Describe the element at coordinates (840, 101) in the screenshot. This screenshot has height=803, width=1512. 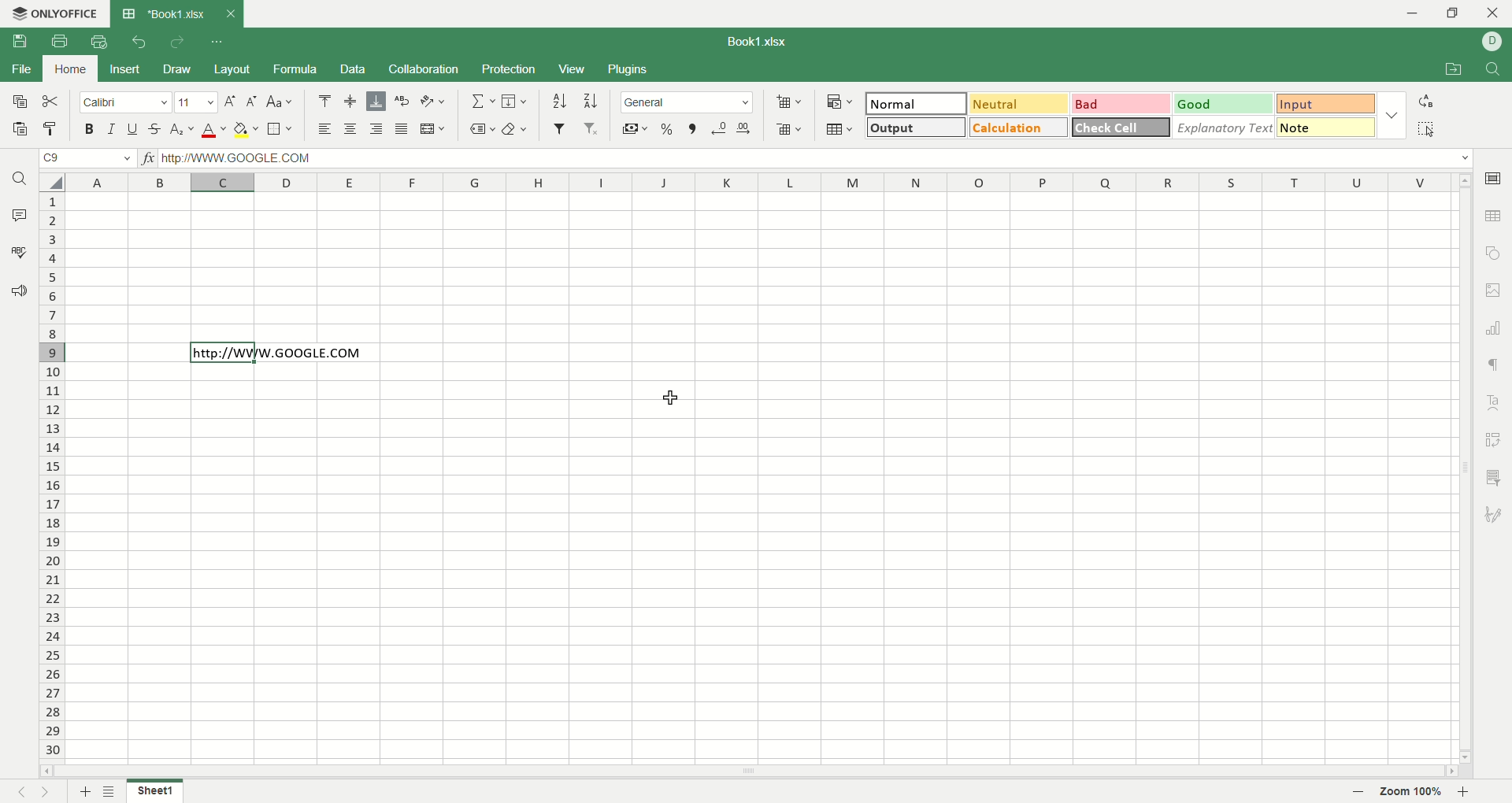
I see `conditional formatting` at that location.